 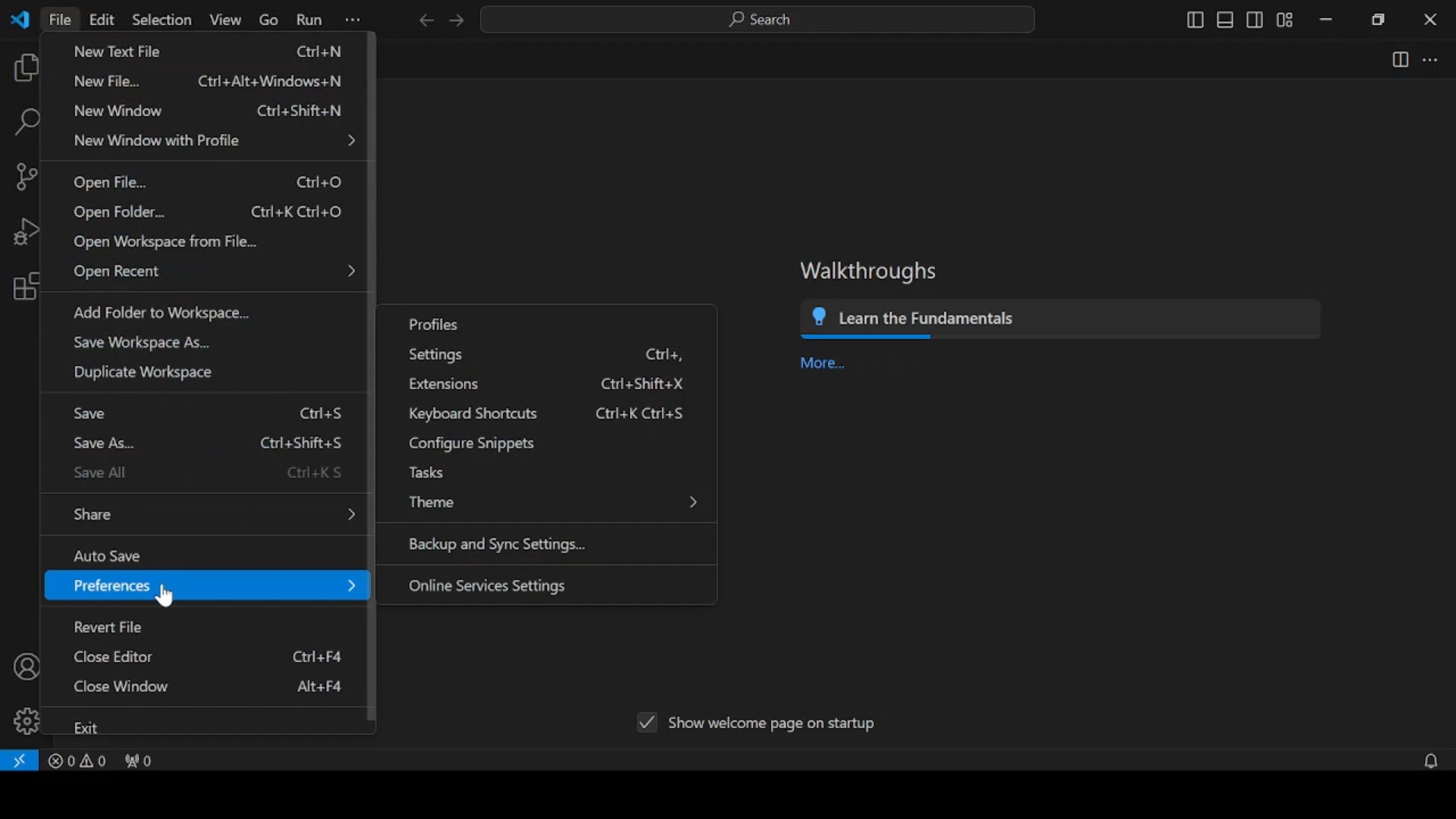 What do you see at coordinates (497, 545) in the screenshot?
I see `backup and sync settings` at bounding box center [497, 545].